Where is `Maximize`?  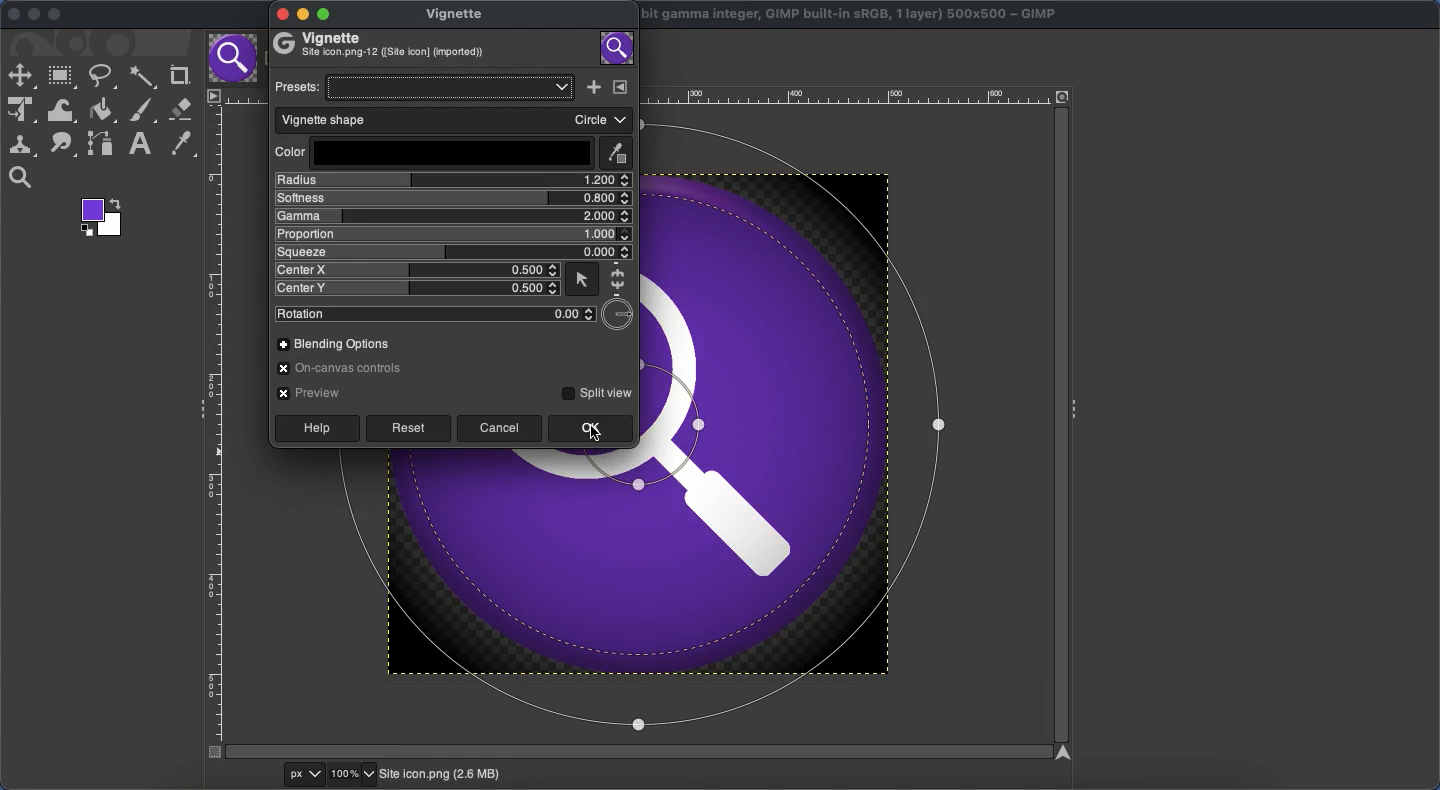
Maximize is located at coordinates (326, 16).